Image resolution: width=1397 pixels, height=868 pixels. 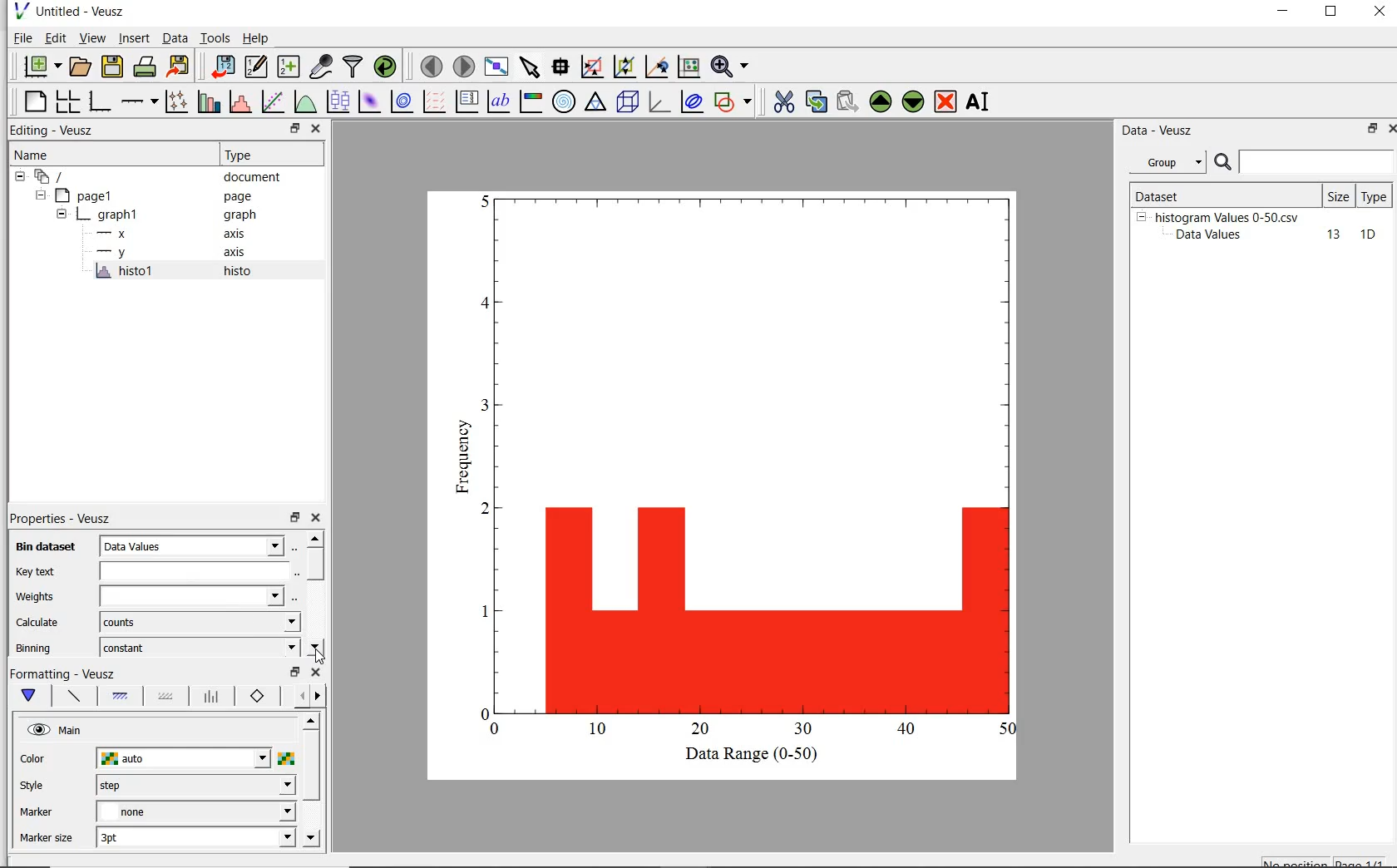 I want to click on cursor, so click(x=319, y=655).